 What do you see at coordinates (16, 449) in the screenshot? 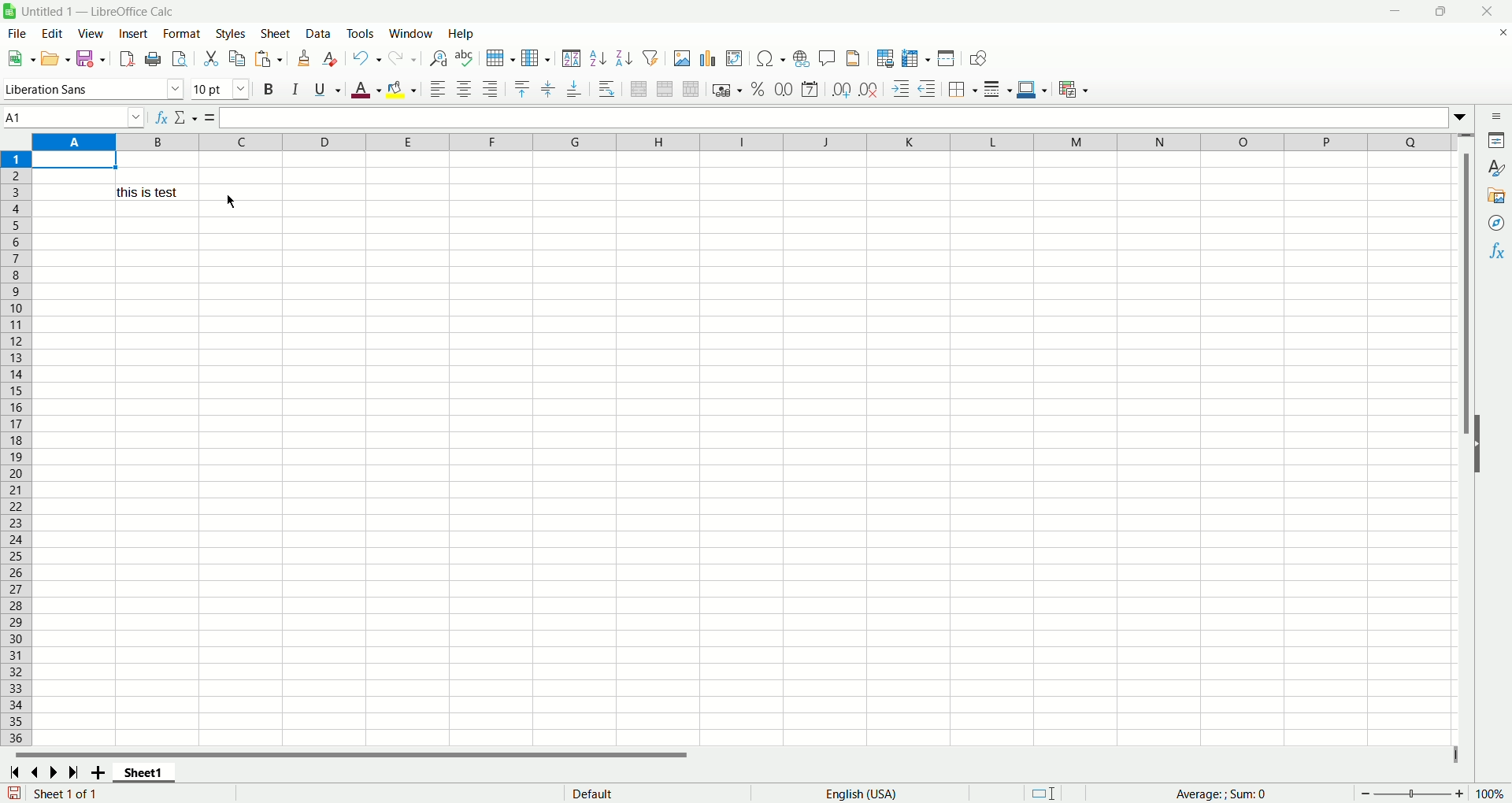
I see `row number` at bounding box center [16, 449].